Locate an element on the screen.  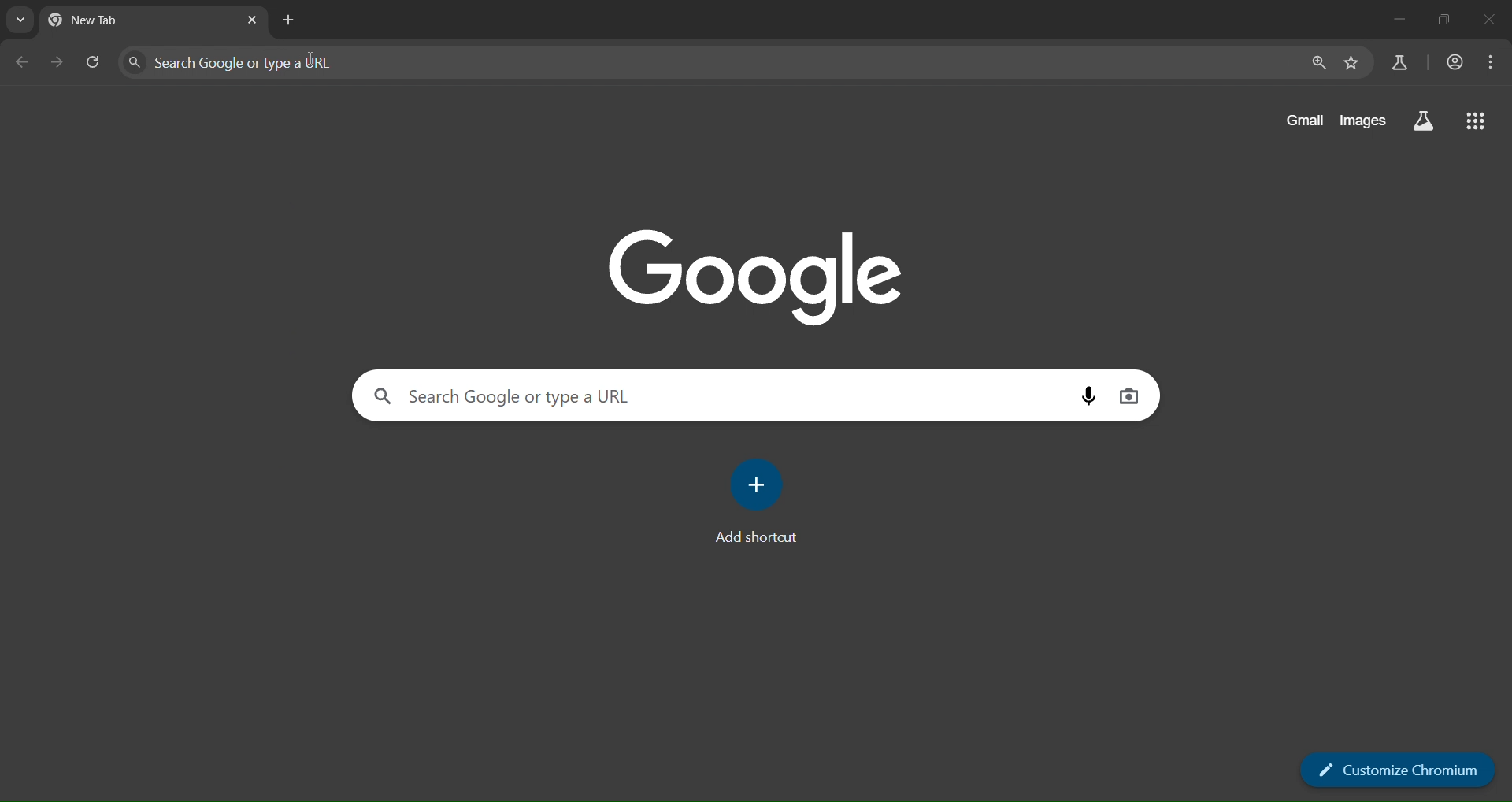
voice search is located at coordinates (1091, 395).